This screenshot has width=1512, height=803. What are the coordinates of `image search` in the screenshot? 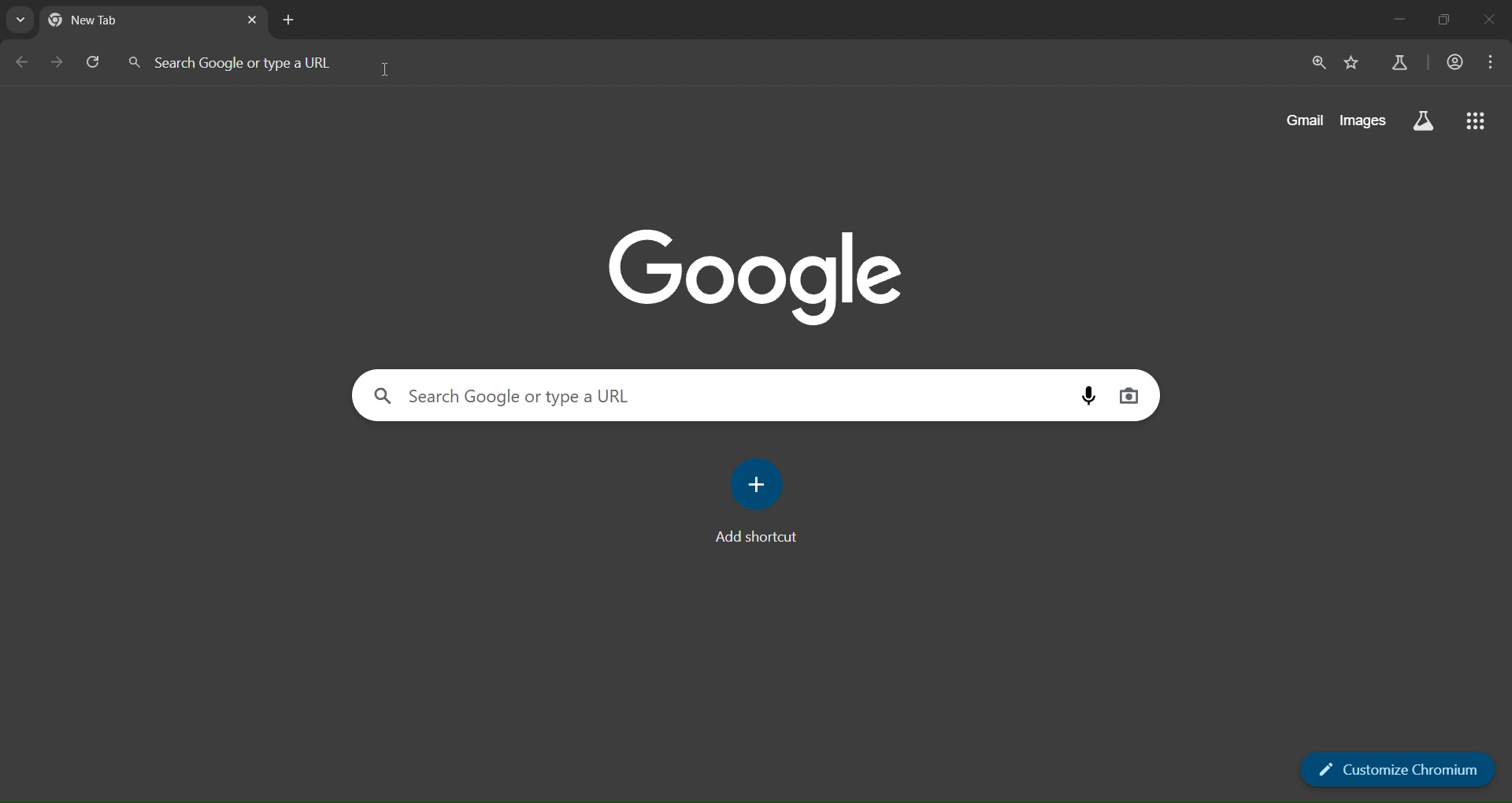 It's located at (1136, 395).